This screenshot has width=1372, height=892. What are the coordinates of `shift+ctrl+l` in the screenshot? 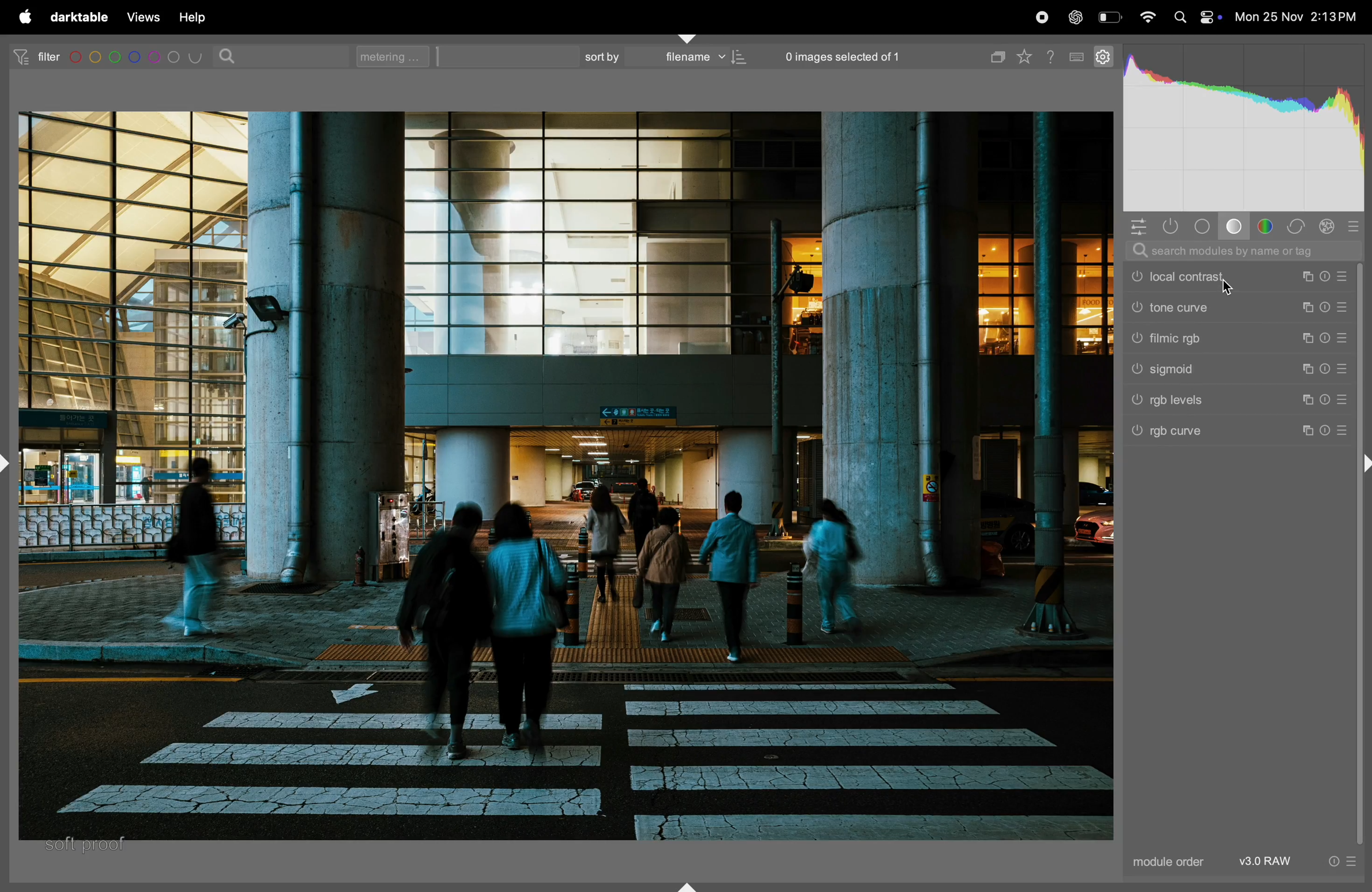 It's located at (9, 460).